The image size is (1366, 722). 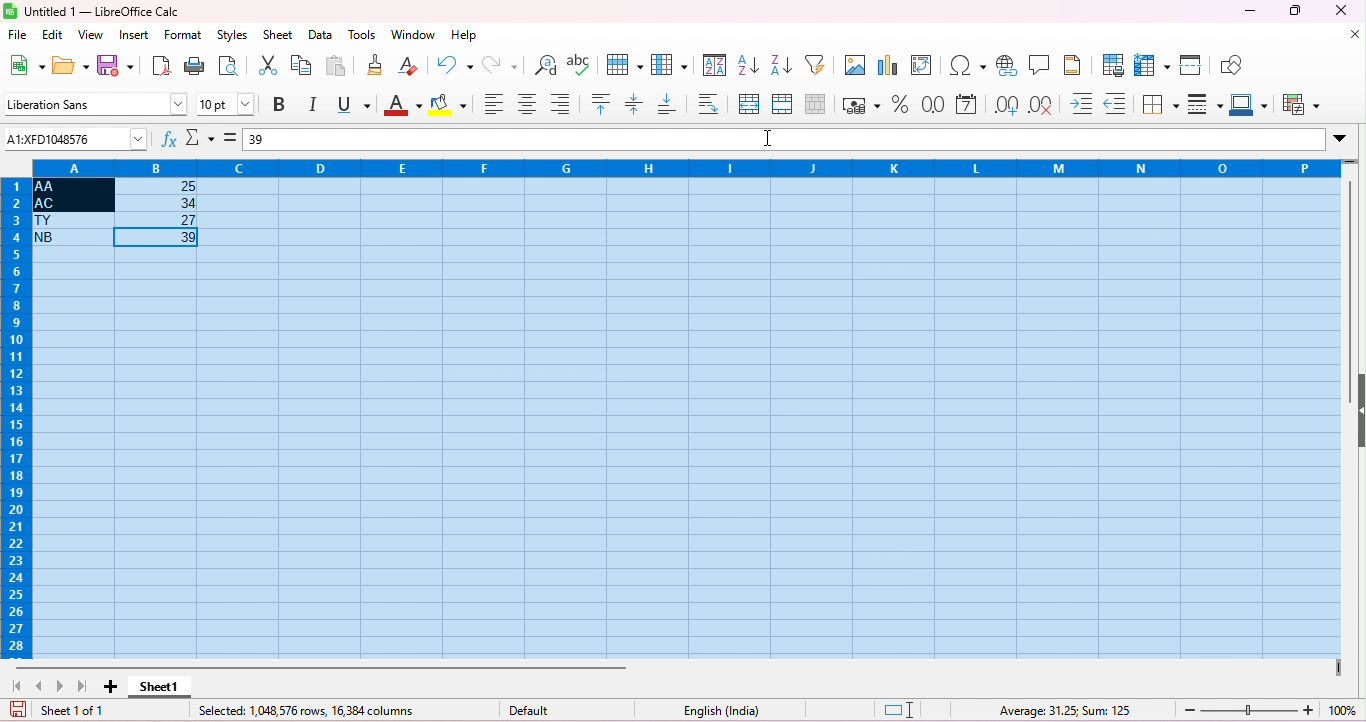 I want to click on vertical scroll bar, so click(x=1352, y=261).